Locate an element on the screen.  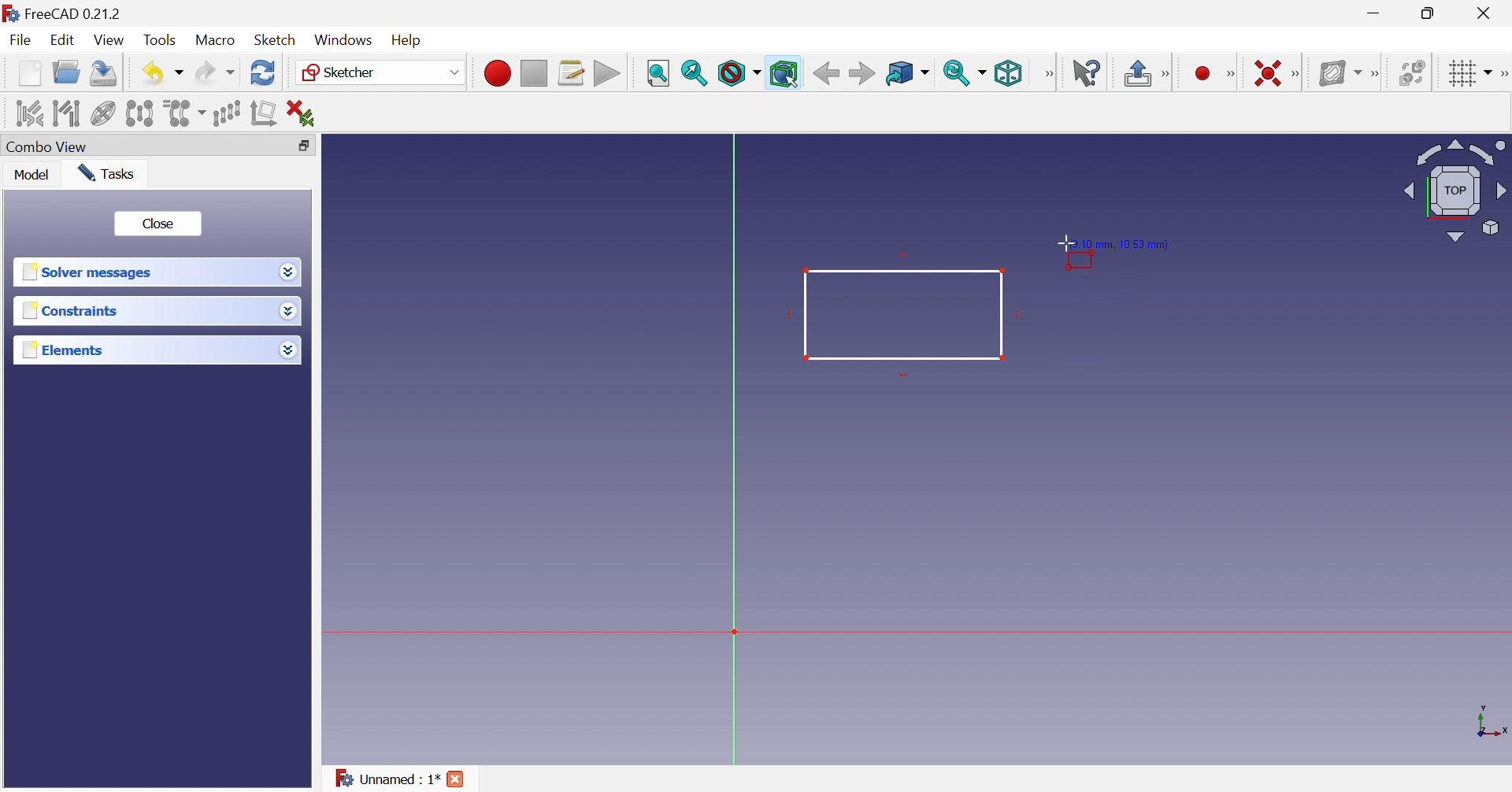
FreeCAD 0.21.2 is located at coordinates (74, 13).